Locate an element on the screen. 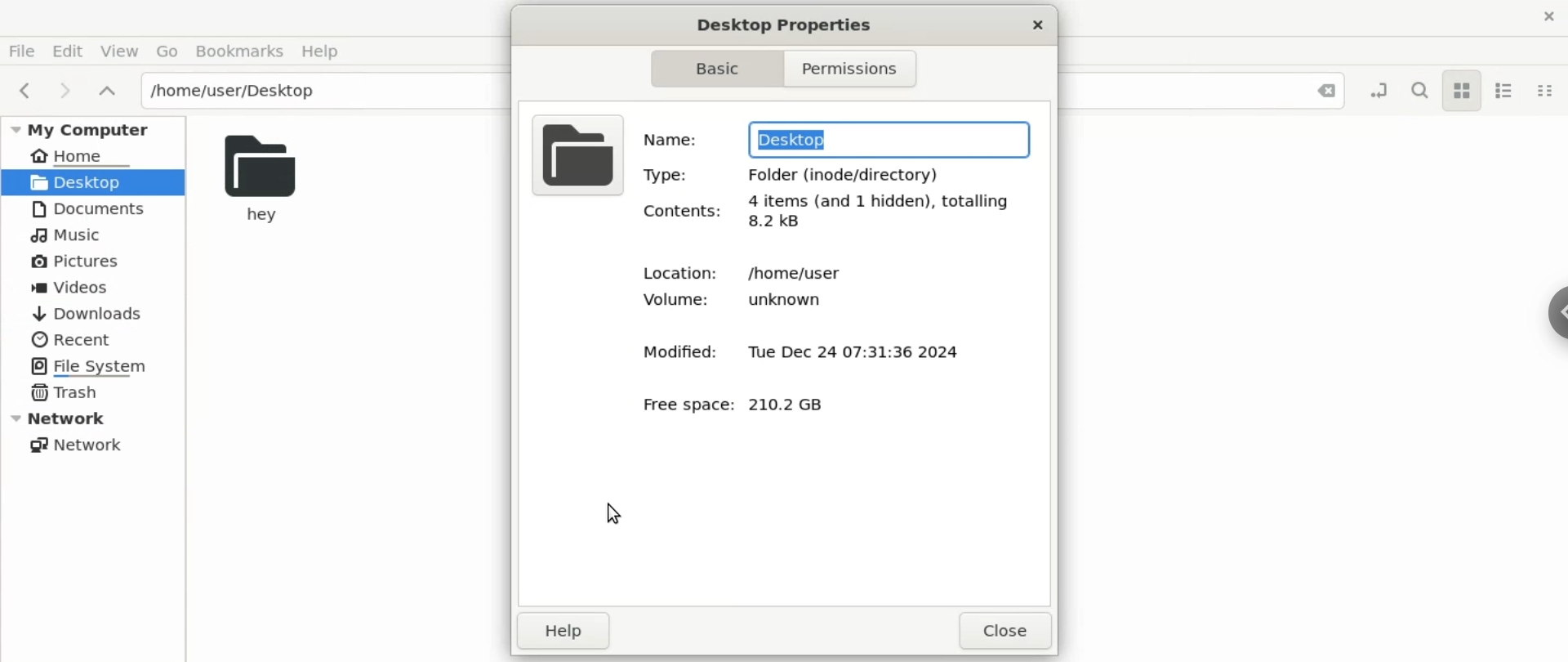 The width and height of the screenshot is (1568, 662). chrome options is located at coordinates (1556, 314).